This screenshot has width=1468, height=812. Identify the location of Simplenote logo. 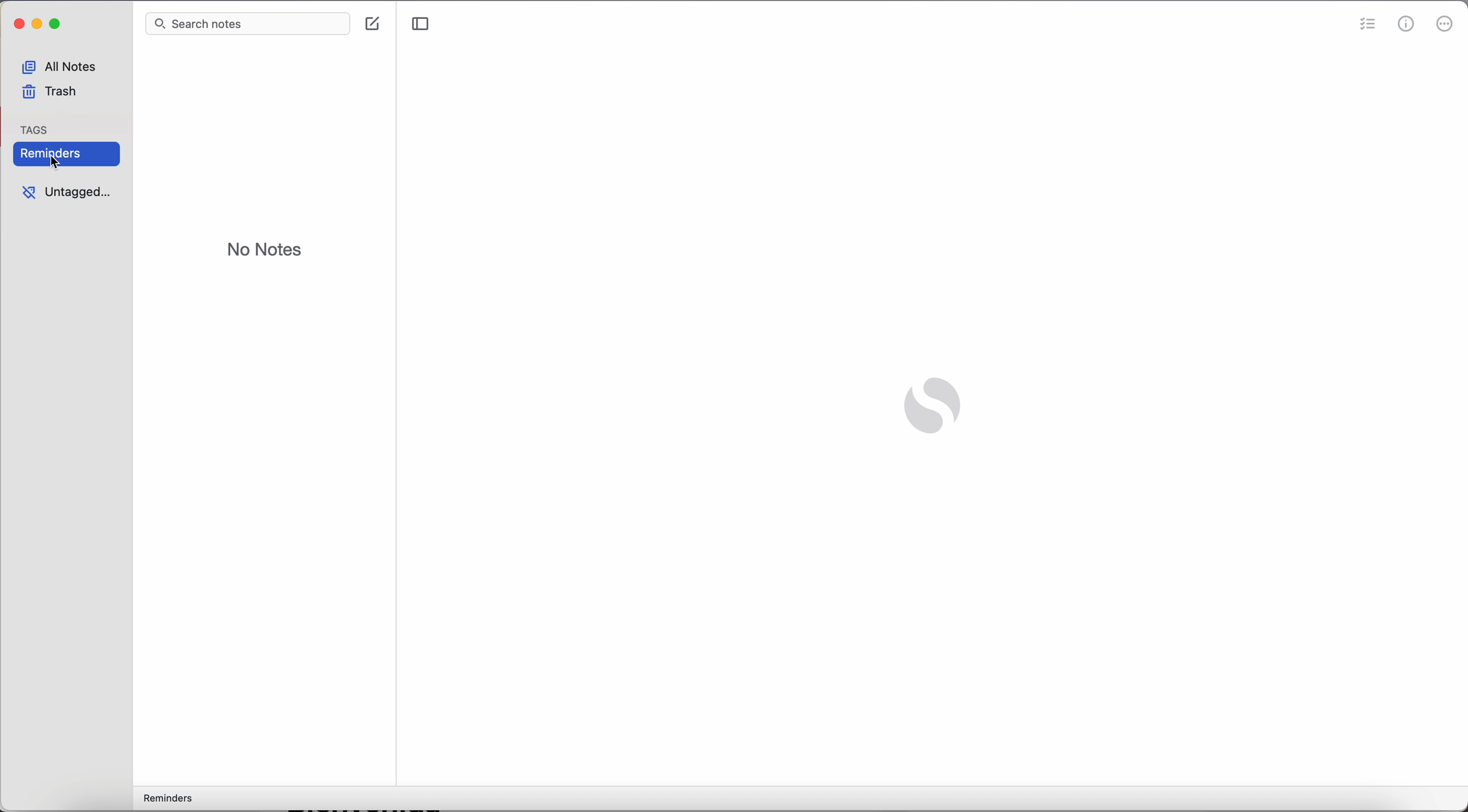
(930, 408).